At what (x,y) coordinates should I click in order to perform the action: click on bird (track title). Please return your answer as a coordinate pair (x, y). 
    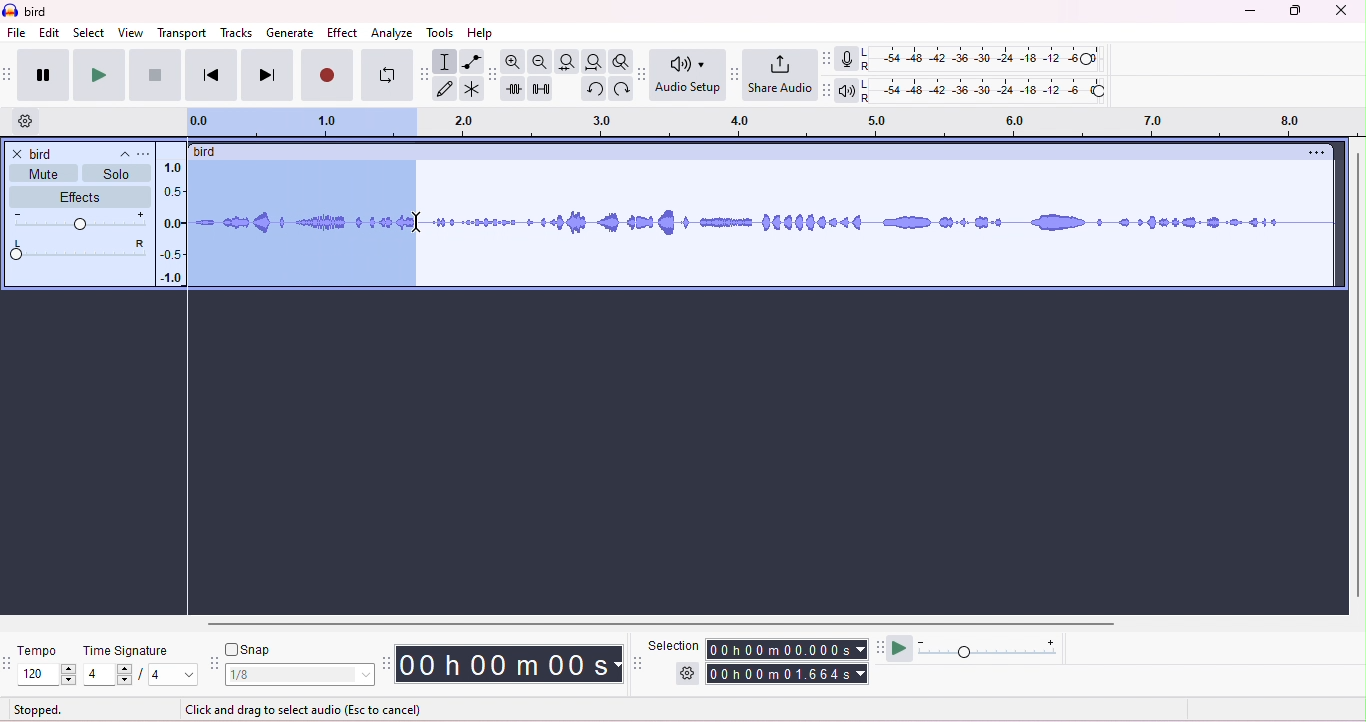
    Looking at the image, I should click on (208, 150).